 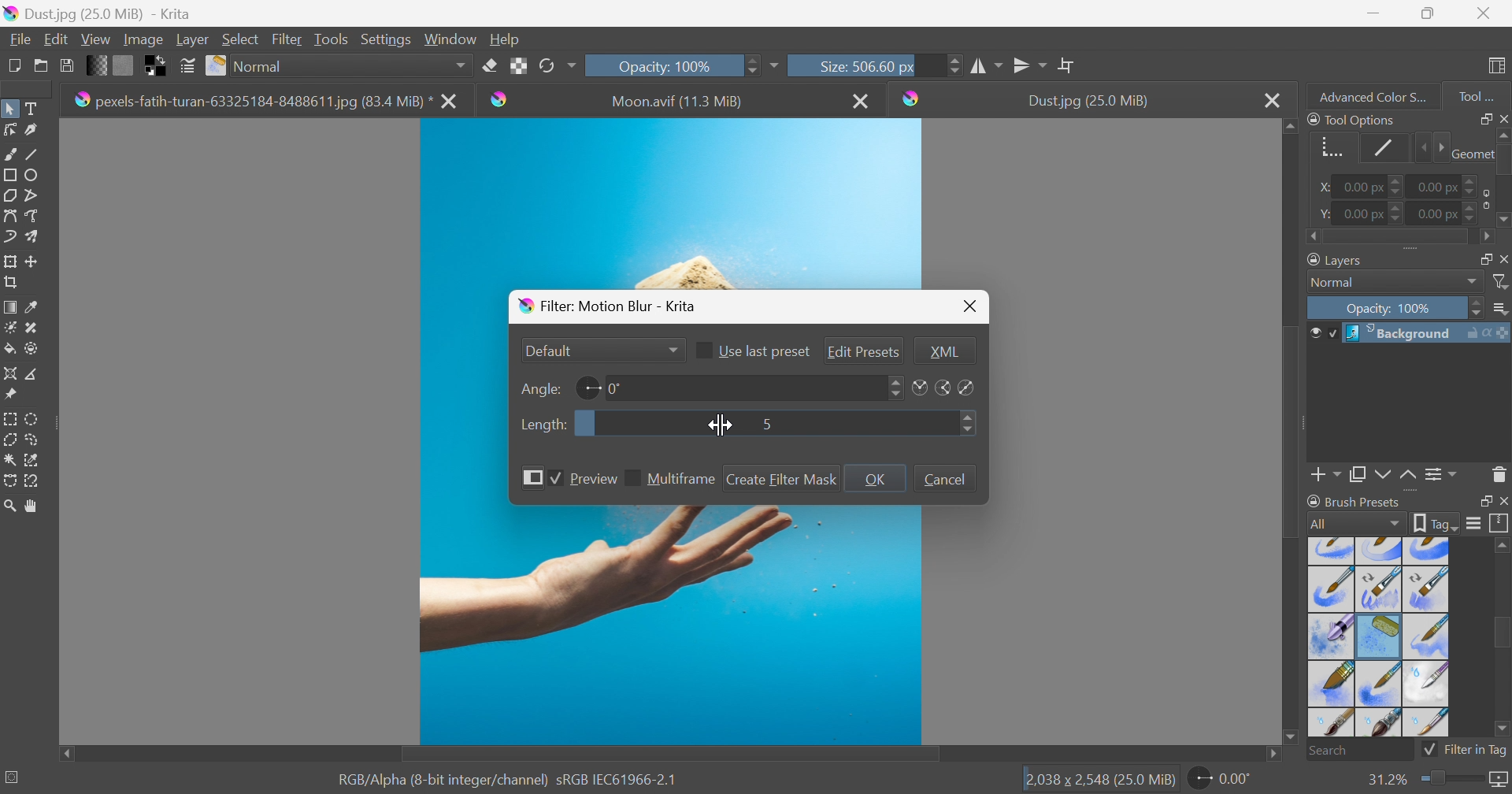 What do you see at coordinates (750, 64) in the screenshot?
I see `Slider` at bounding box center [750, 64].